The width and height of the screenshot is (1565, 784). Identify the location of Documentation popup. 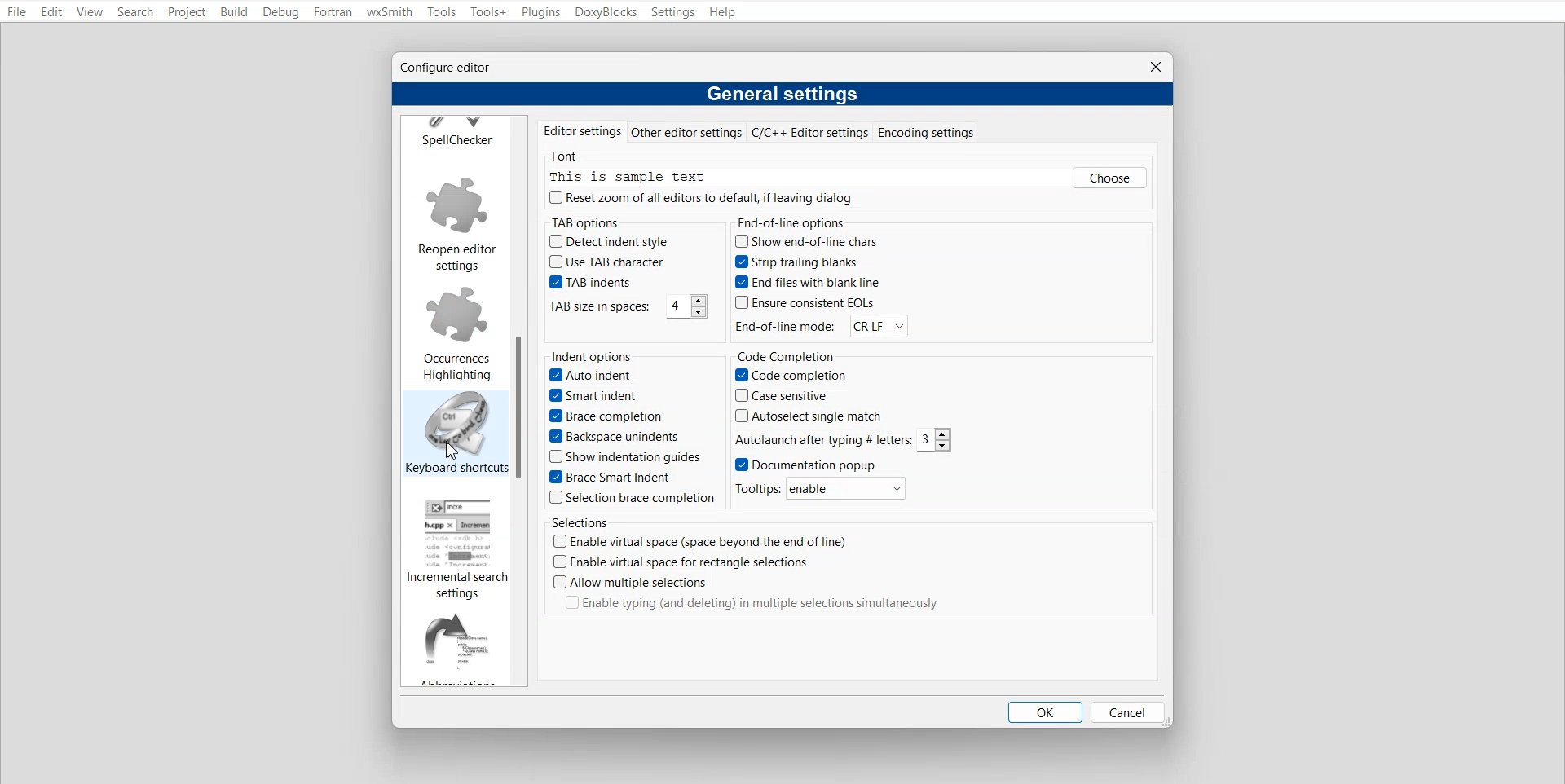
(809, 465).